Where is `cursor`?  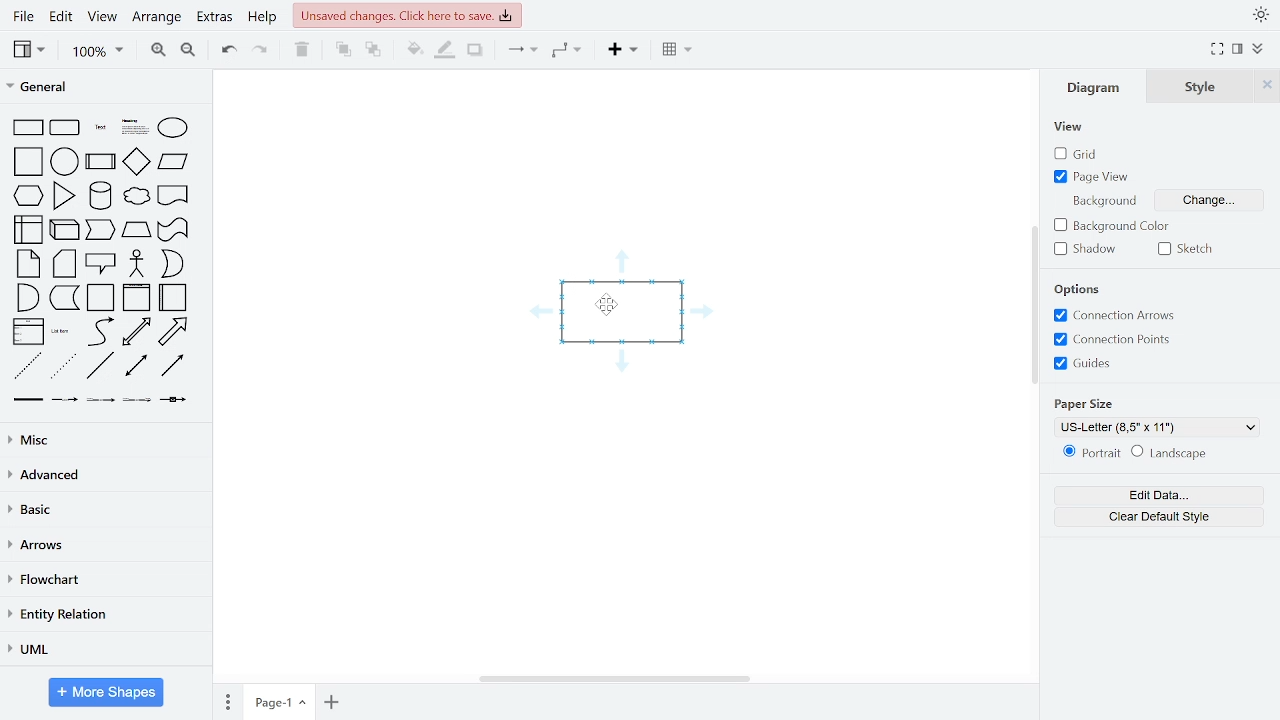 cursor is located at coordinates (609, 308).